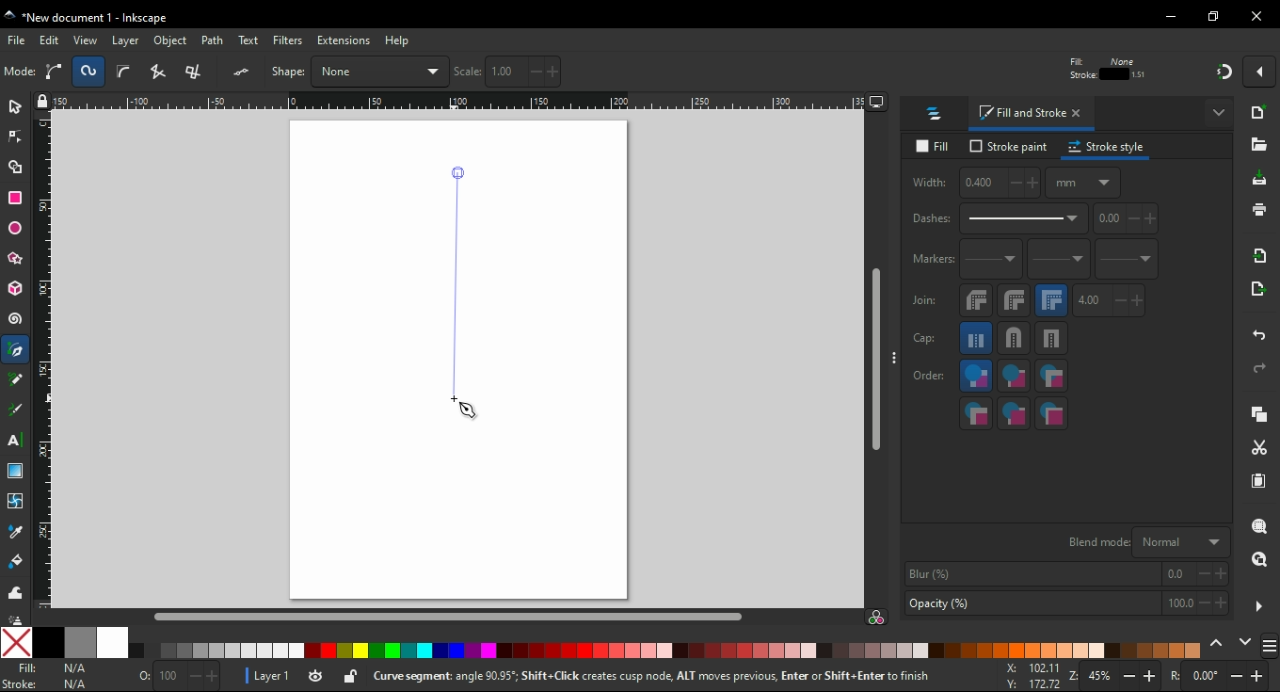  I want to click on markers,fill,stroke, so click(976, 413).